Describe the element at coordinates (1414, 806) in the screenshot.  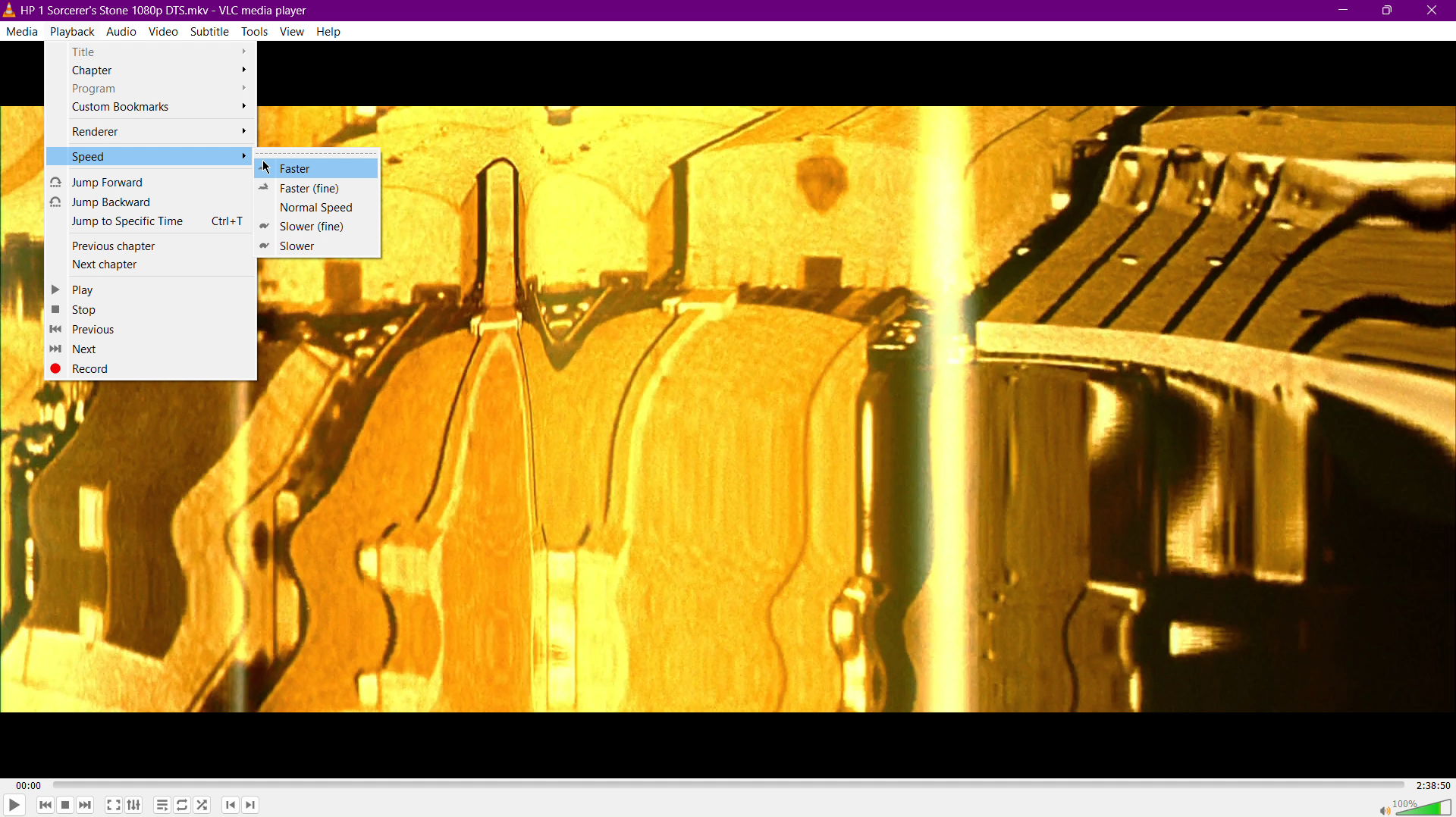
I see `Volume 100%` at that location.